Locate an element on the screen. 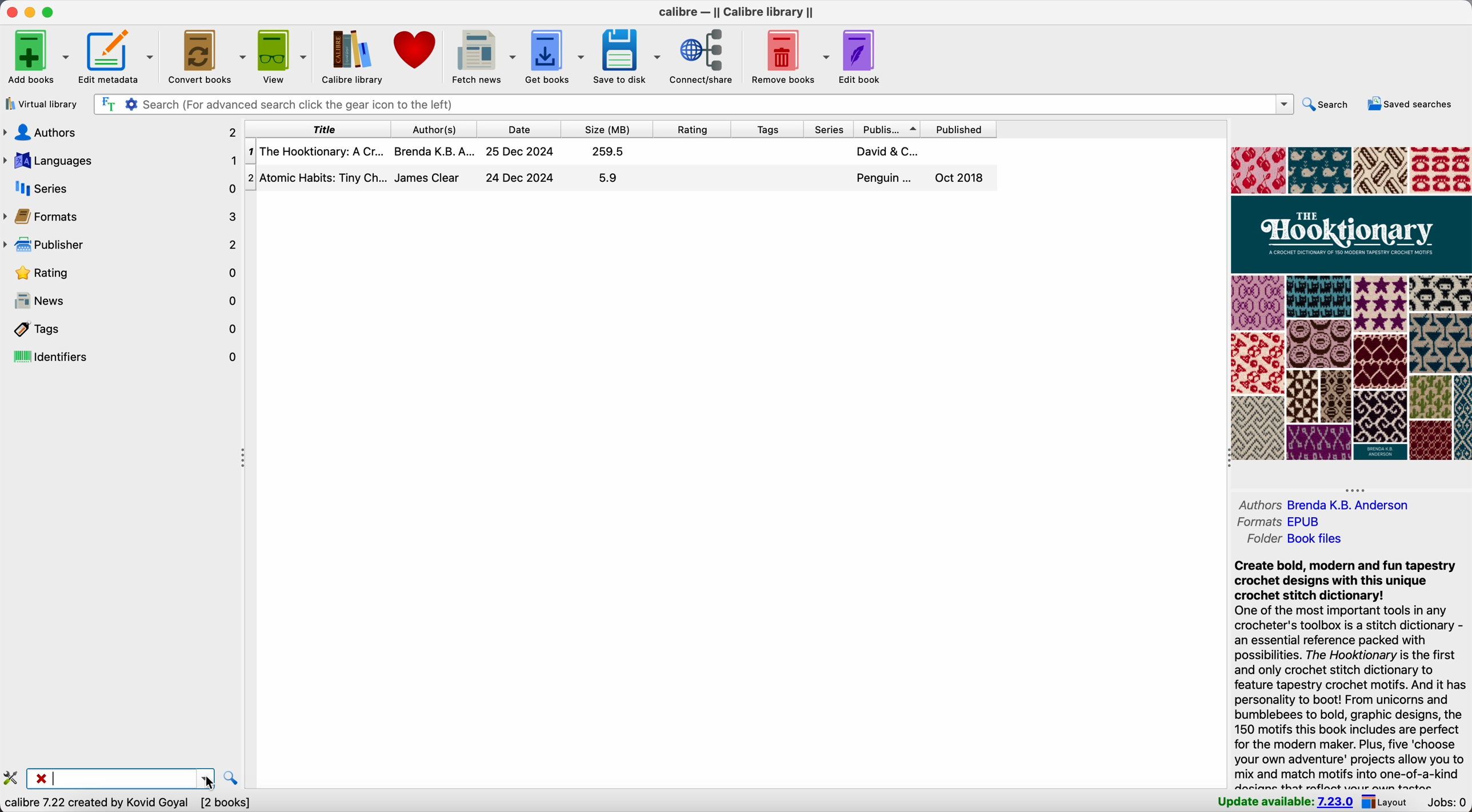 This screenshot has height=812, width=1472. rating is located at coordinates (697, 129).